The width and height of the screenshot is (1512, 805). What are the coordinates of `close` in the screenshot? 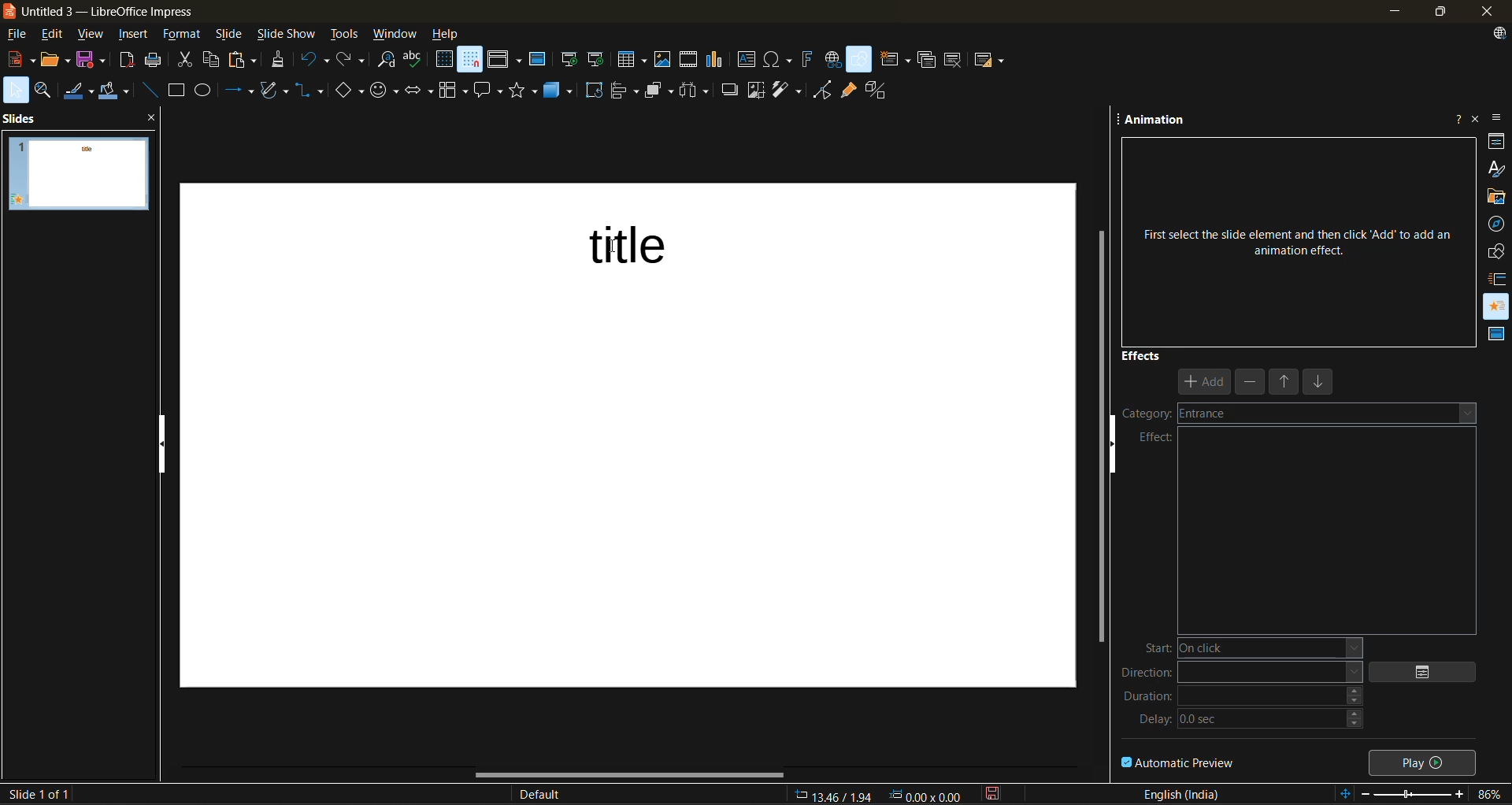 It's located at (1484, 12).